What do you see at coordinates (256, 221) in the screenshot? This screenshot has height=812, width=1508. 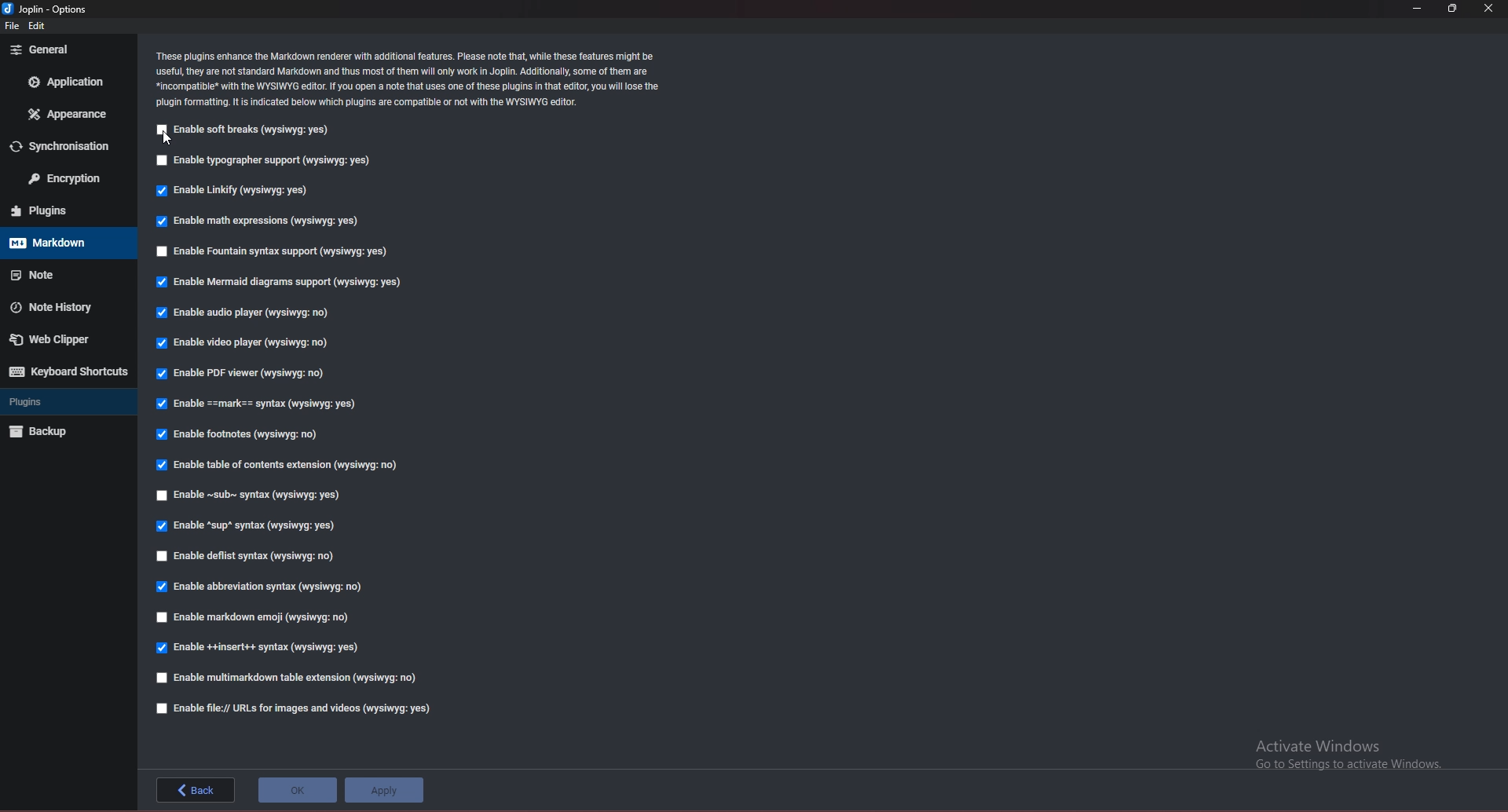 I see `enable math expressions` at bounding box center [256, 221].